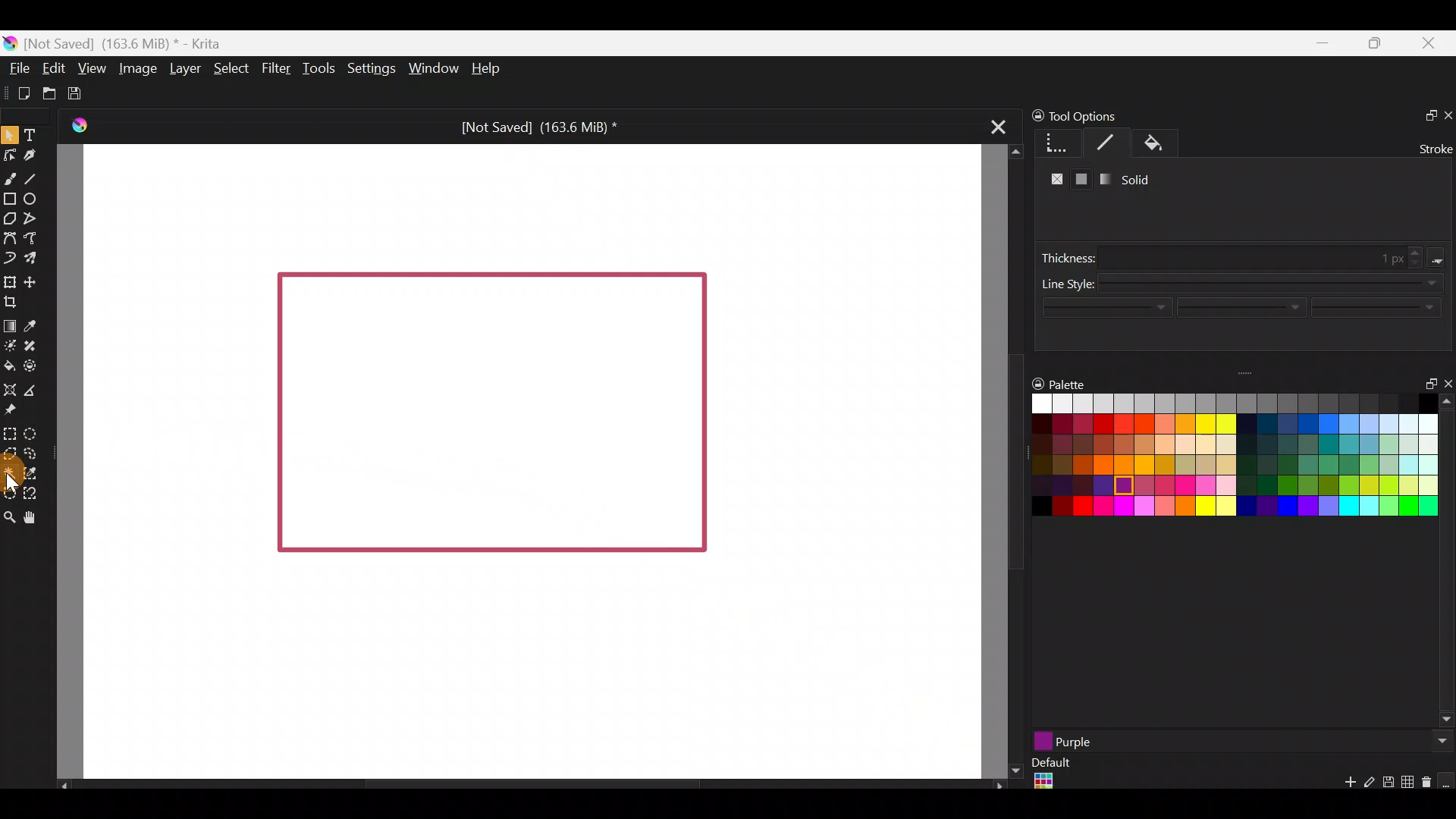 The image size is (1456, 819). What do you see at coordinates (49, 91) in the screenshot?
I see `Open an existing document` at bounding box center [49, 91].